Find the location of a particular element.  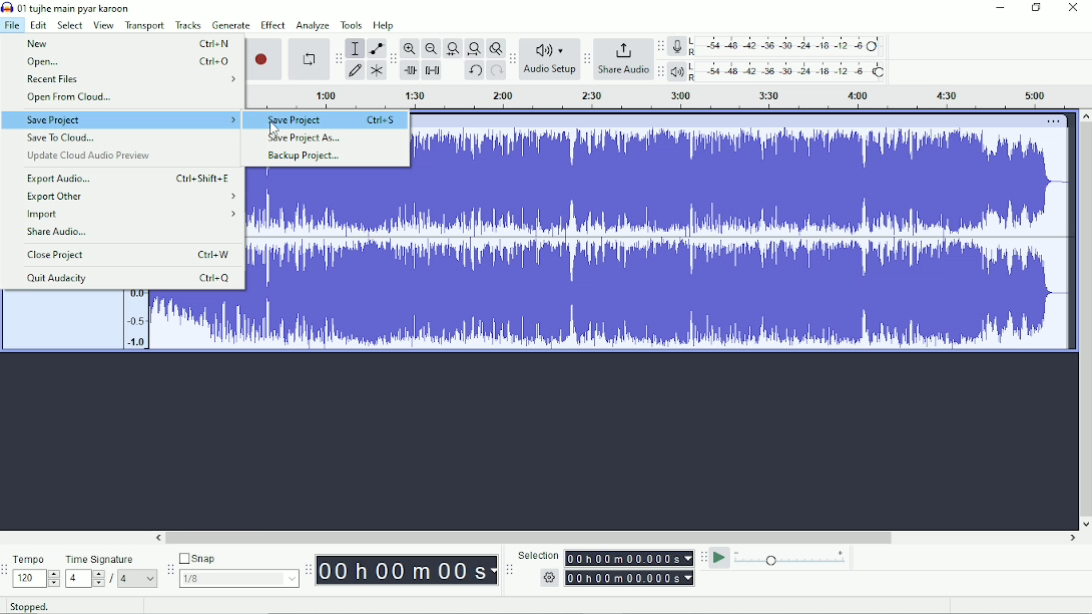

Audacity time signature toolbar is located at coordinates (7, 570).